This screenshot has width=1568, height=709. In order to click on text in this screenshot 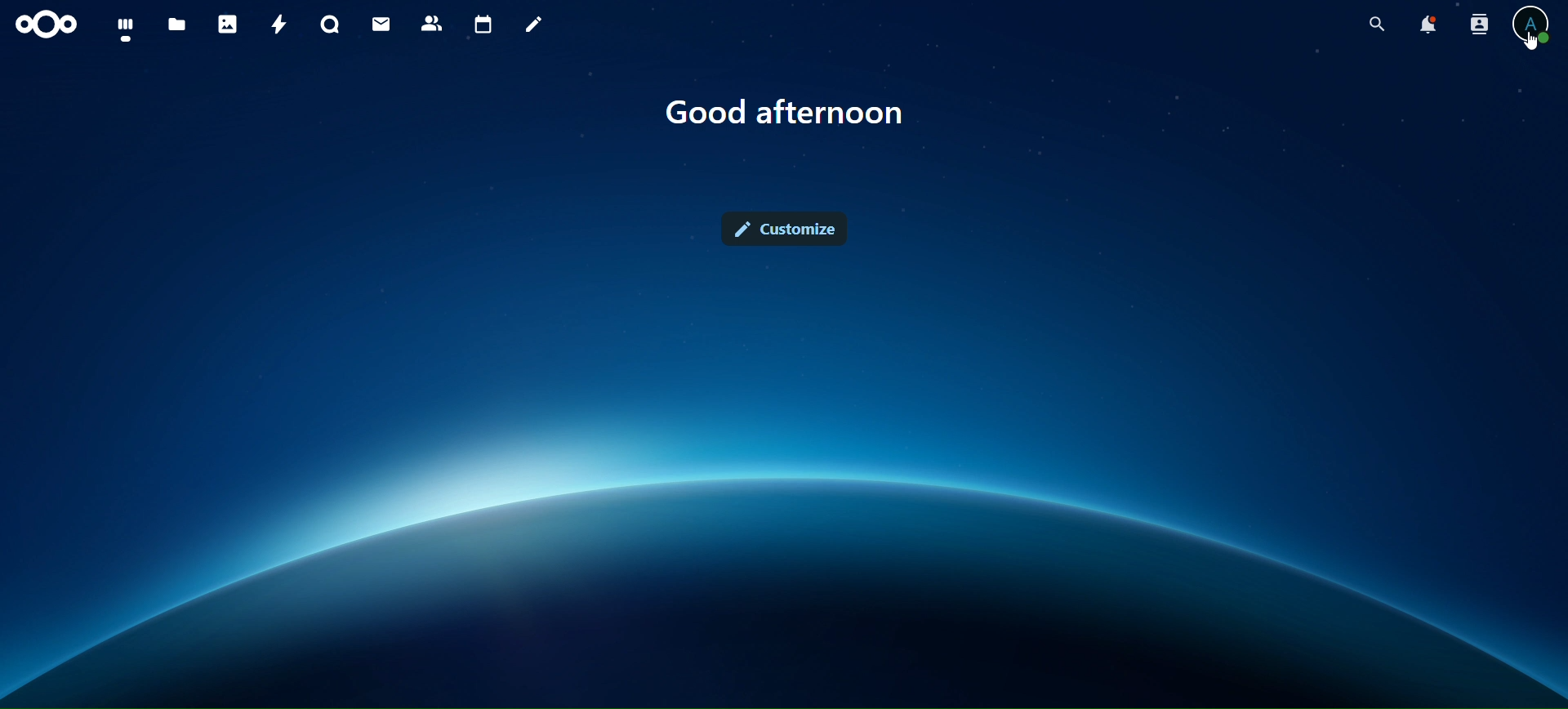, I will do `click(788, 114)`.